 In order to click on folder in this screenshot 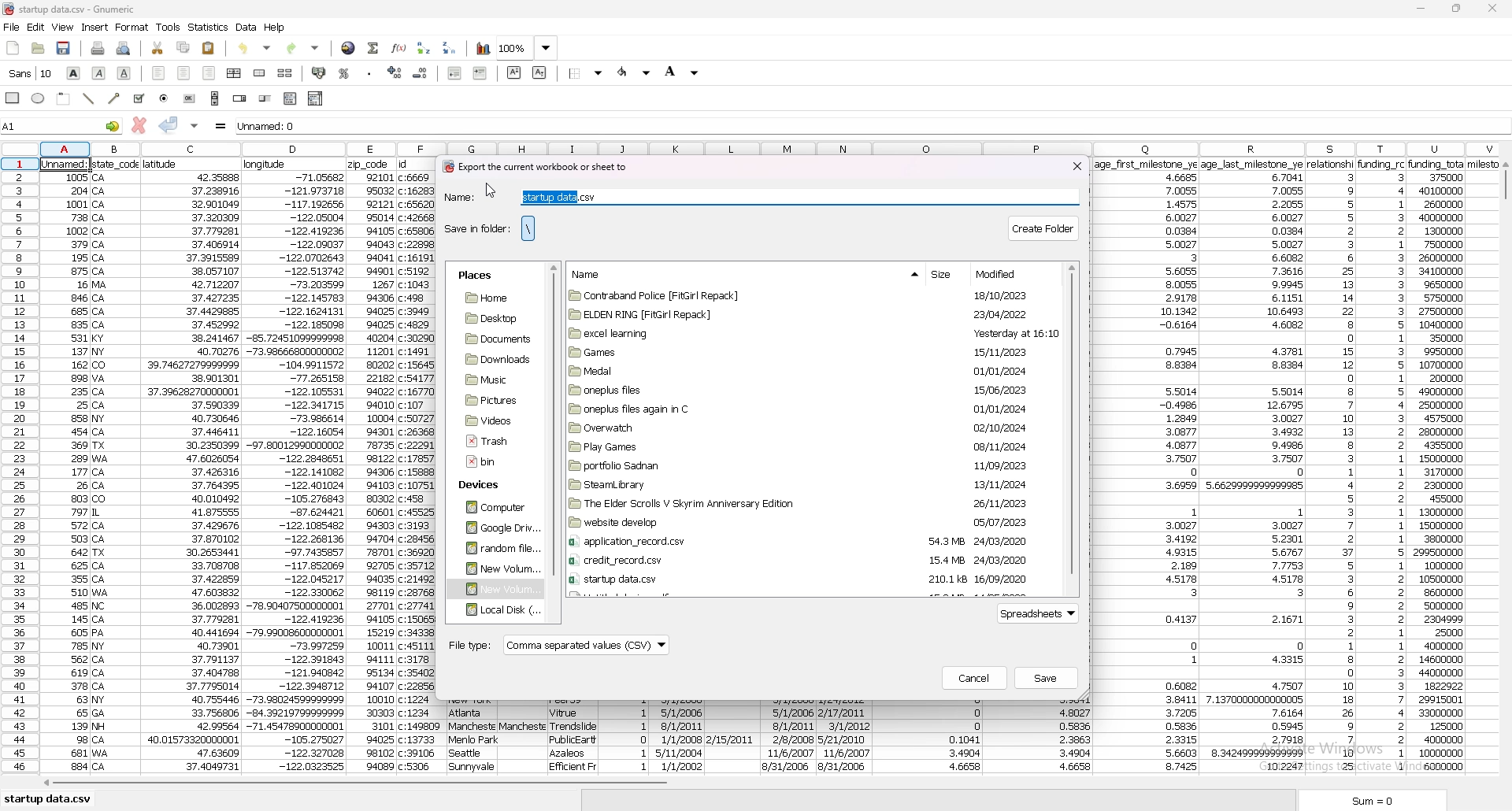, I will do `click(805, 390)`.